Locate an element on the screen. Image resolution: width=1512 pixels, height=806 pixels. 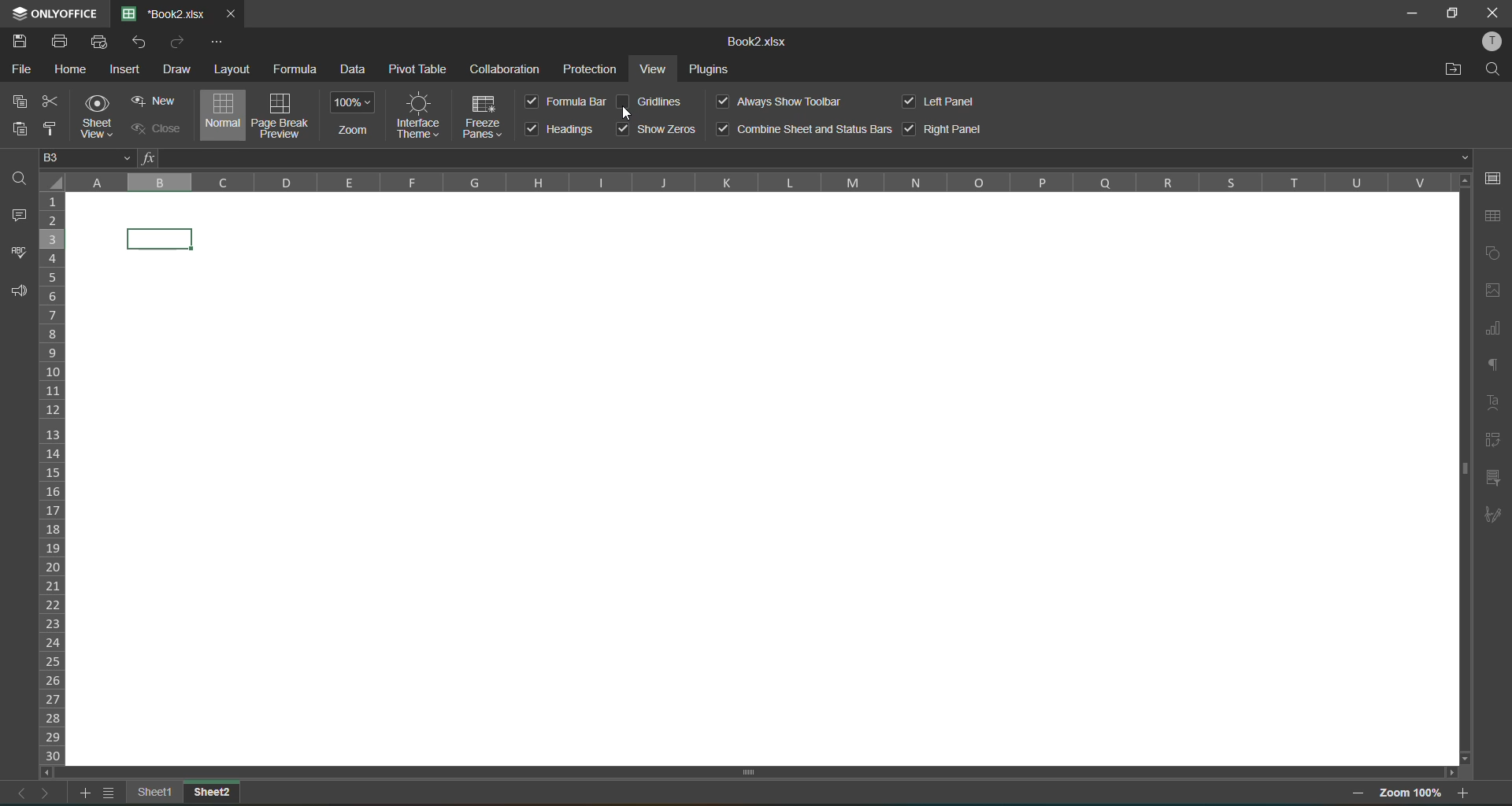
cut is located at coordinates (55, 102).